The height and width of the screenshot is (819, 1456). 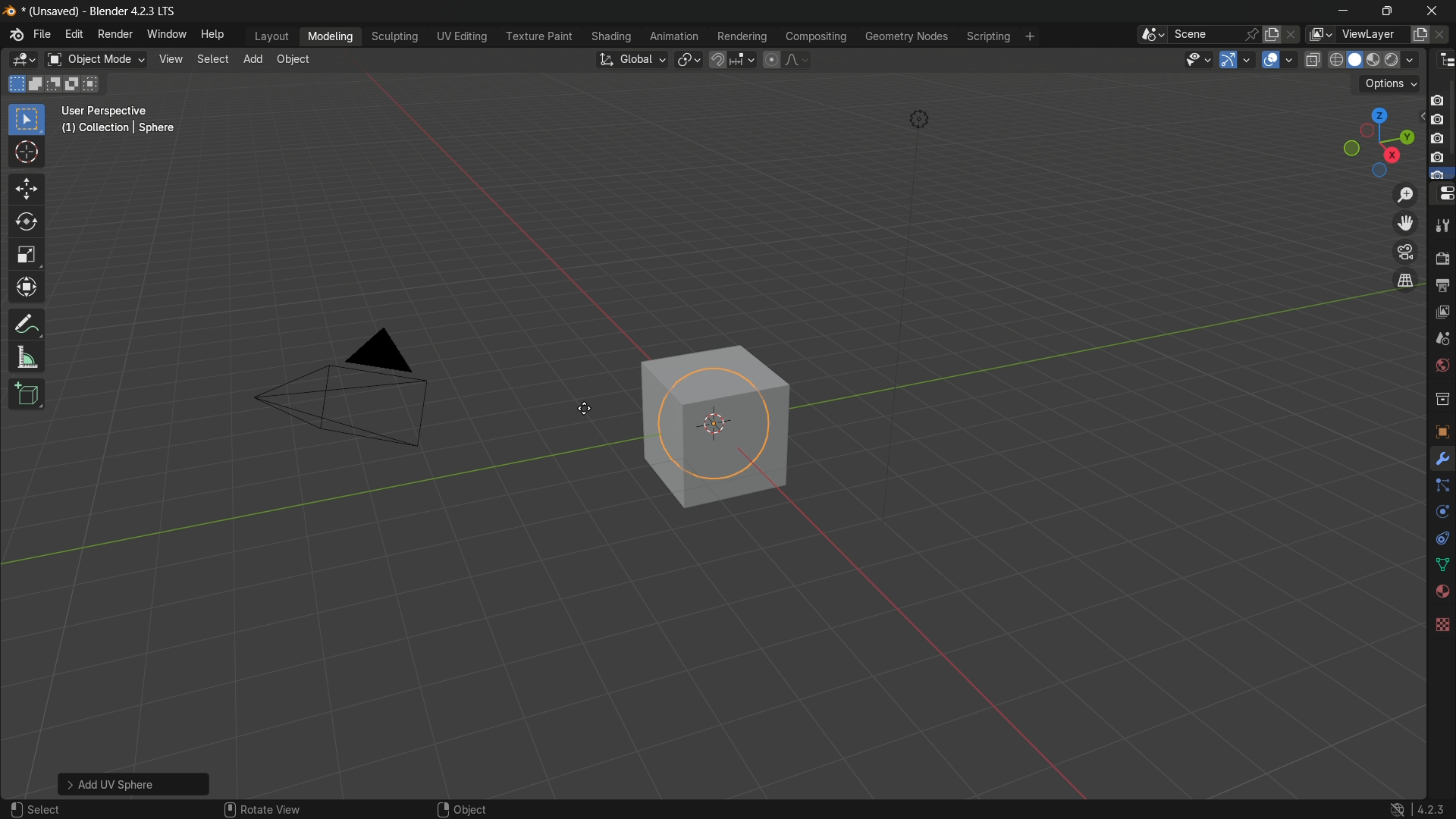 I want to click on toggle x ray, so click(x=1311, y=59).